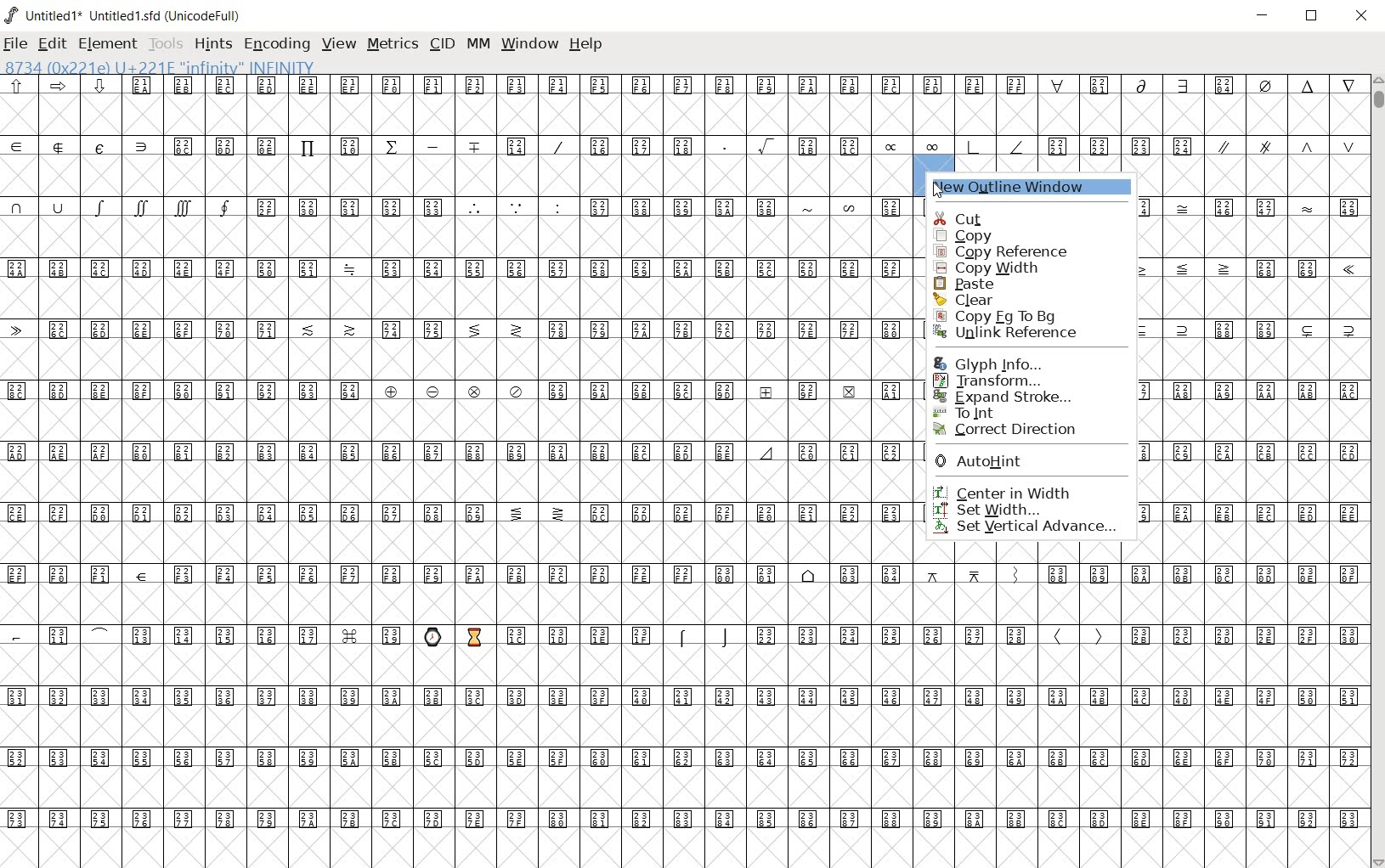 This screenshot has width=1385, height=868. Describe the element at coordinates (1031, 509) in the screenshot. I see `set width` at that location.